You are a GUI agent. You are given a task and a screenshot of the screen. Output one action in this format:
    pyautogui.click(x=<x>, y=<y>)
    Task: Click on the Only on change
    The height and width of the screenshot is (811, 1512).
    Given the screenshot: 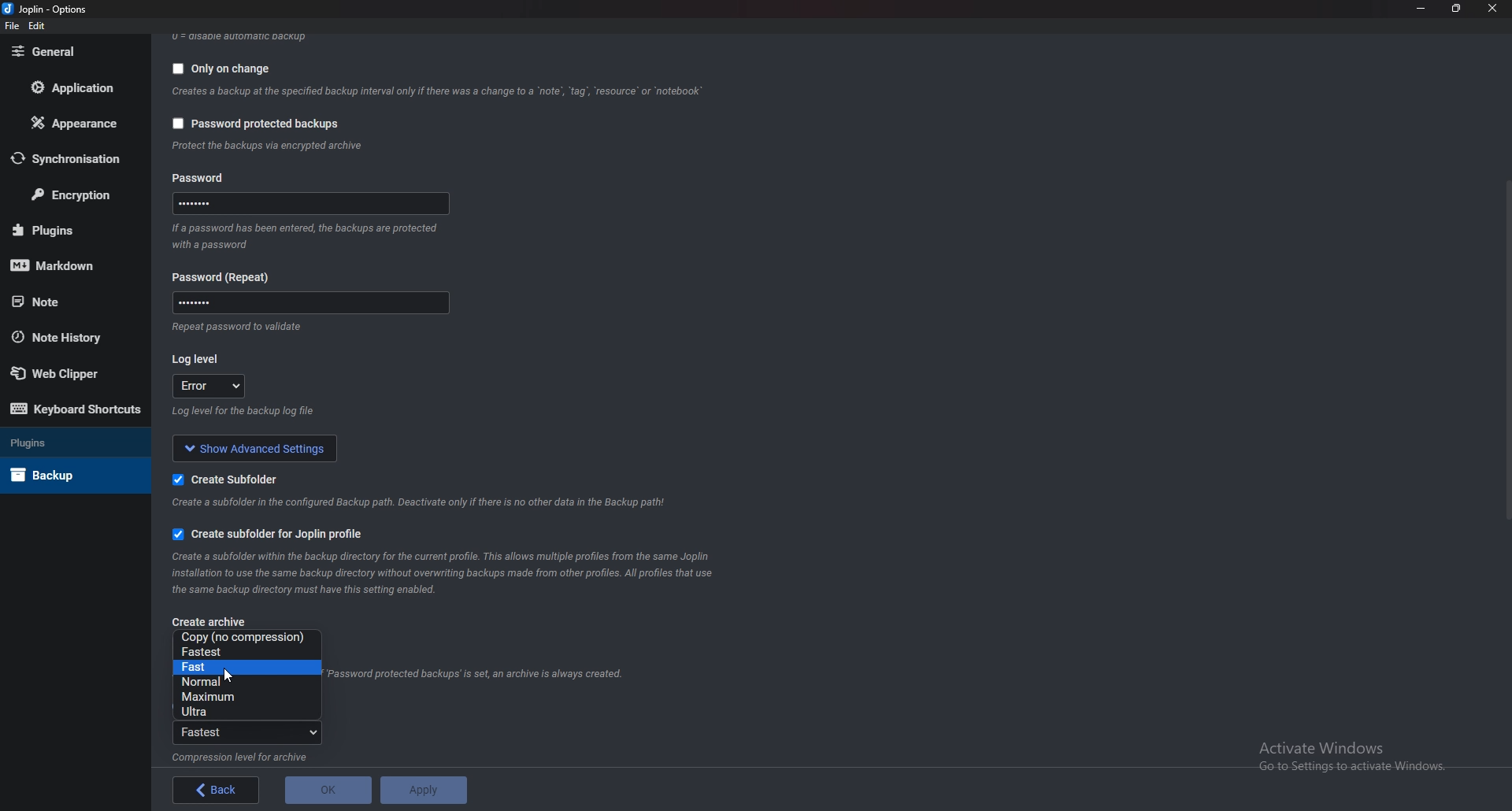 What is the action you would take?
    pyautogui.click(x=217, y=71)
    